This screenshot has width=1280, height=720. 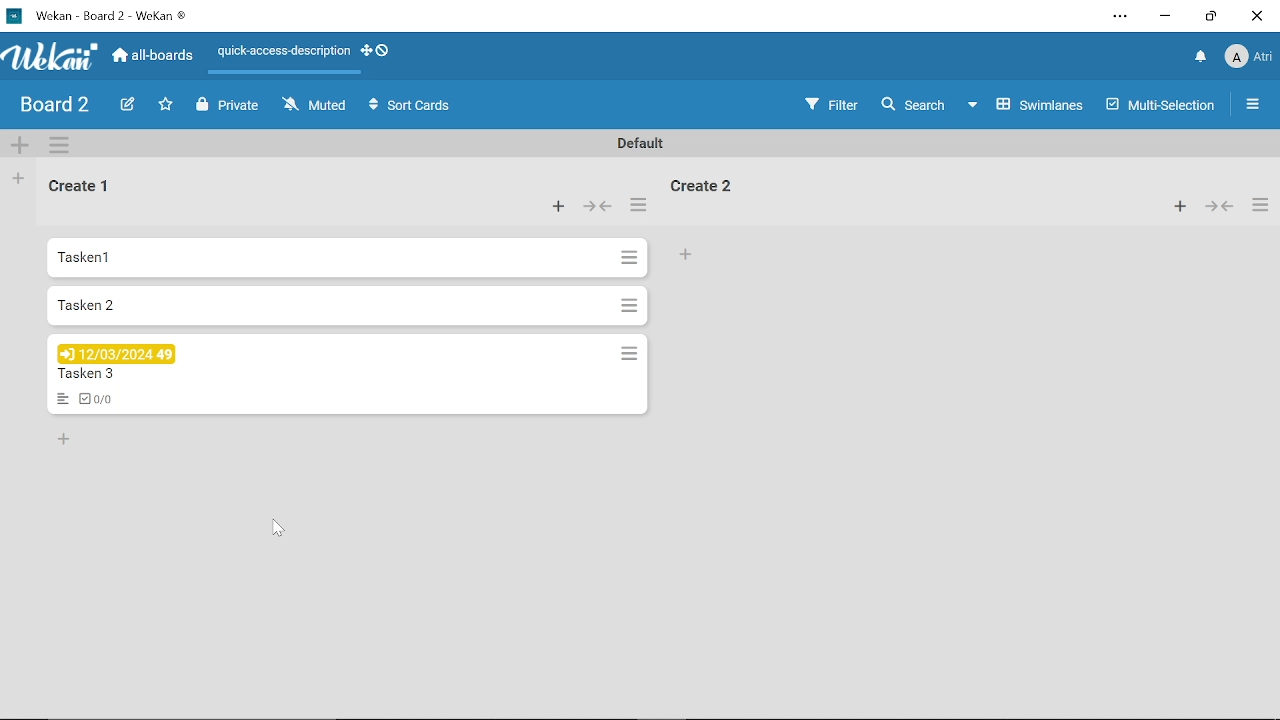 I want to click on Multi-selections, so click(x=1155, y=105).